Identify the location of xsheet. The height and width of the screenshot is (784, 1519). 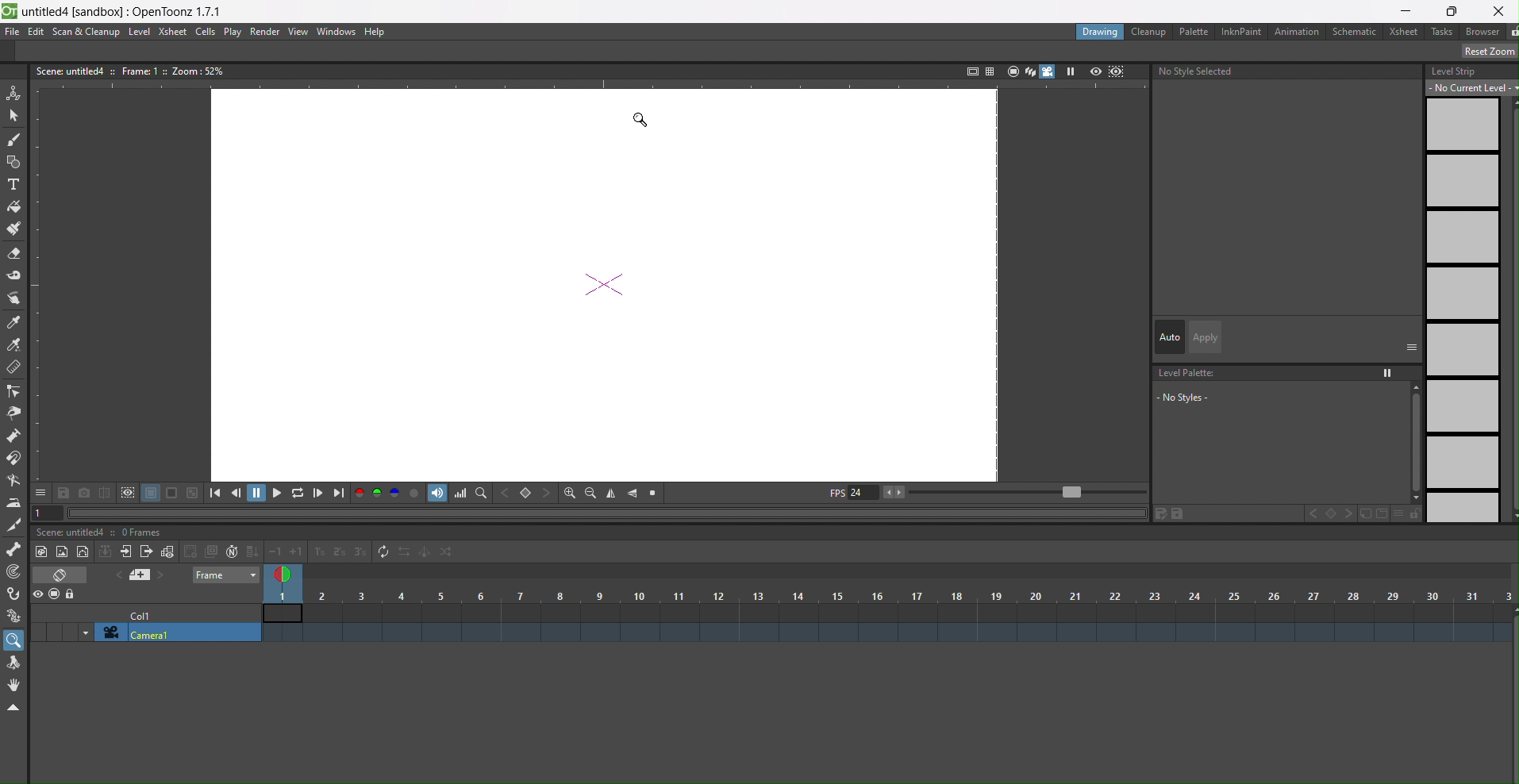
(1405, 32).